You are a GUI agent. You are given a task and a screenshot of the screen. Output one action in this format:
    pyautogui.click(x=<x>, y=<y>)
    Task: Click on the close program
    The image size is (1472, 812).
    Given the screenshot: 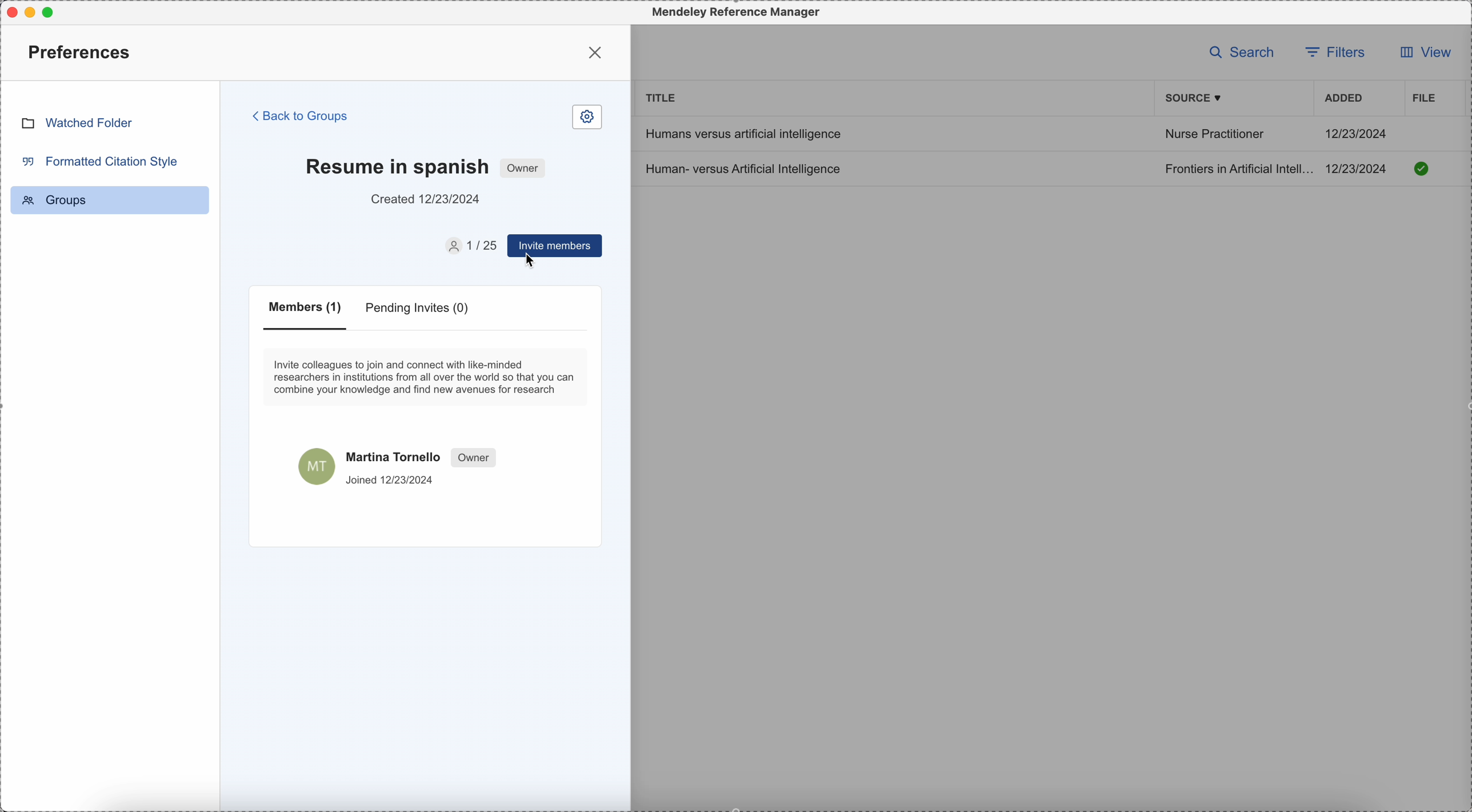 What is the action you would take?
    pyautogui.click(x=9, y=10)
    